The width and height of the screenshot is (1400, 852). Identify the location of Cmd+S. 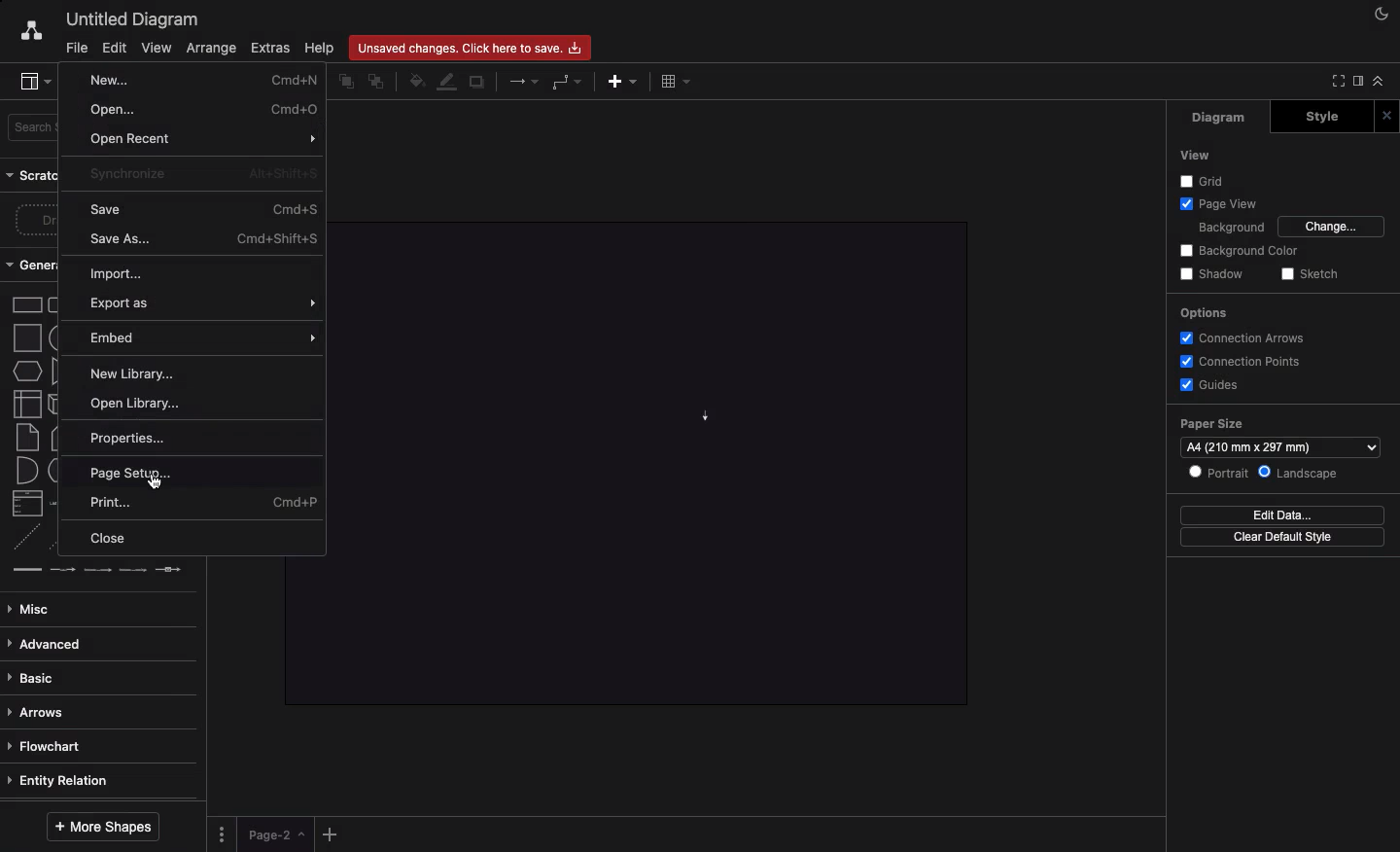
(293, 209).